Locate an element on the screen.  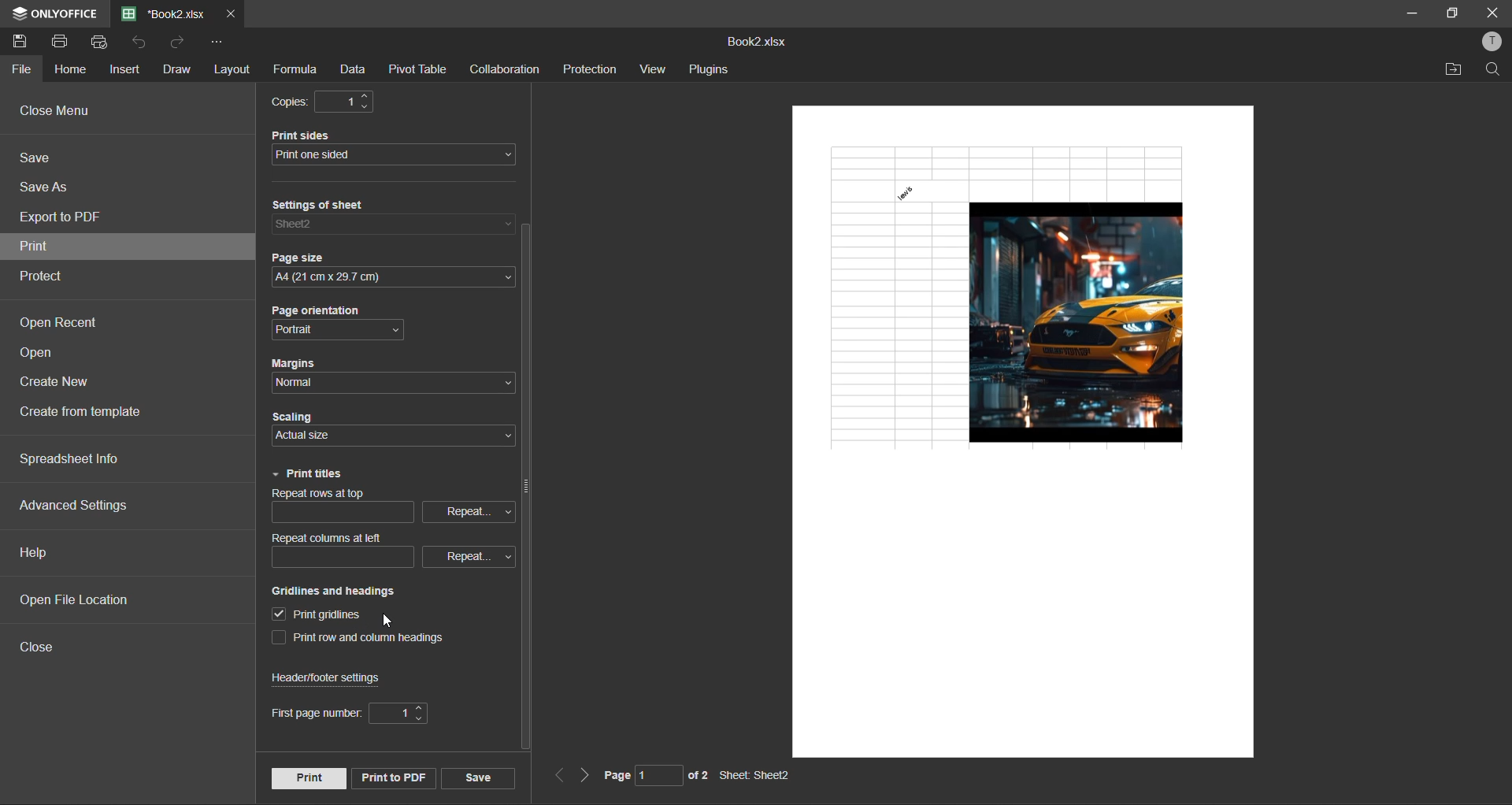
filename is located at coordinates (755, 42).